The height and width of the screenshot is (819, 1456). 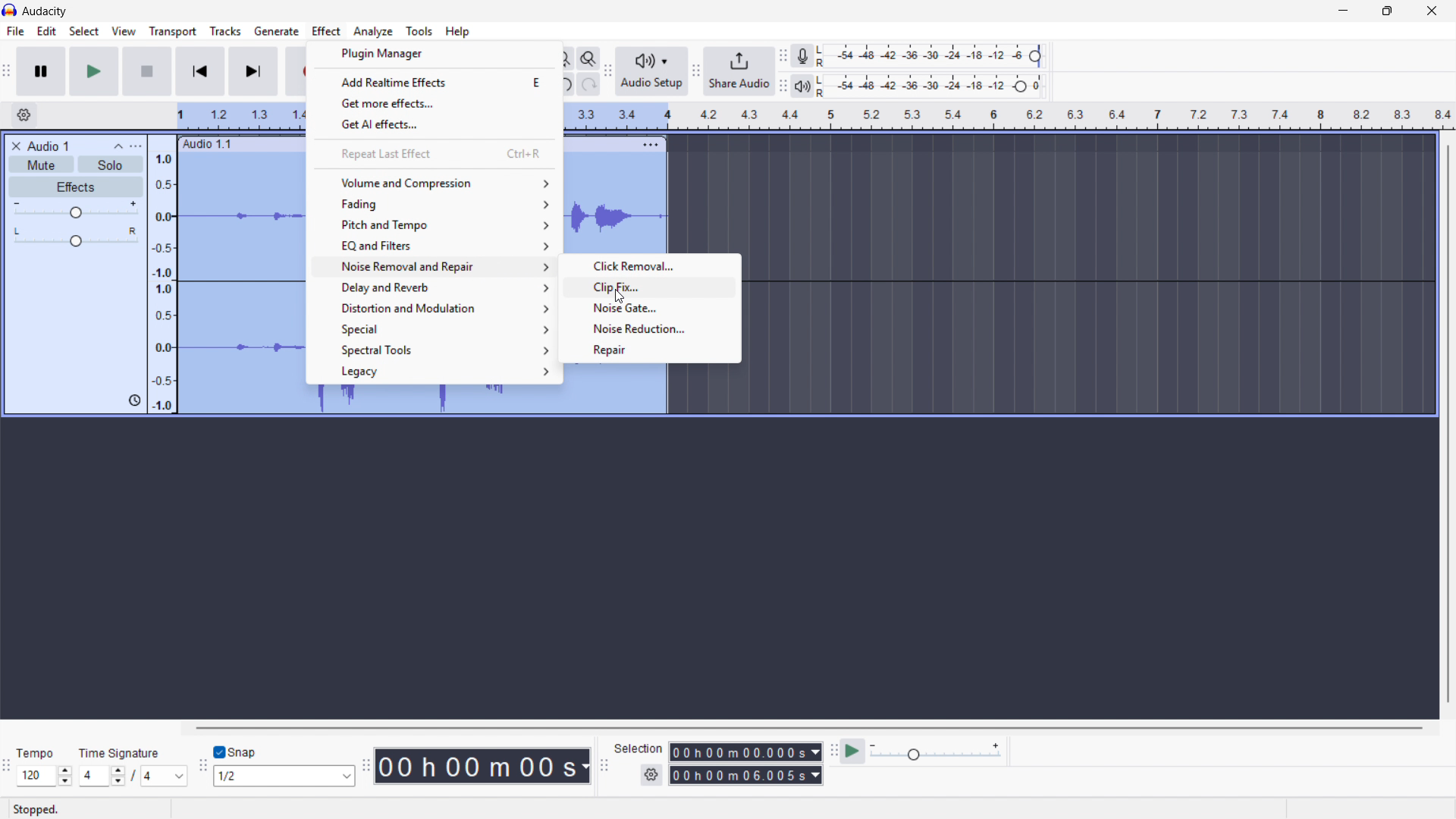 I want to click on pause , so click(x=40, y=71).